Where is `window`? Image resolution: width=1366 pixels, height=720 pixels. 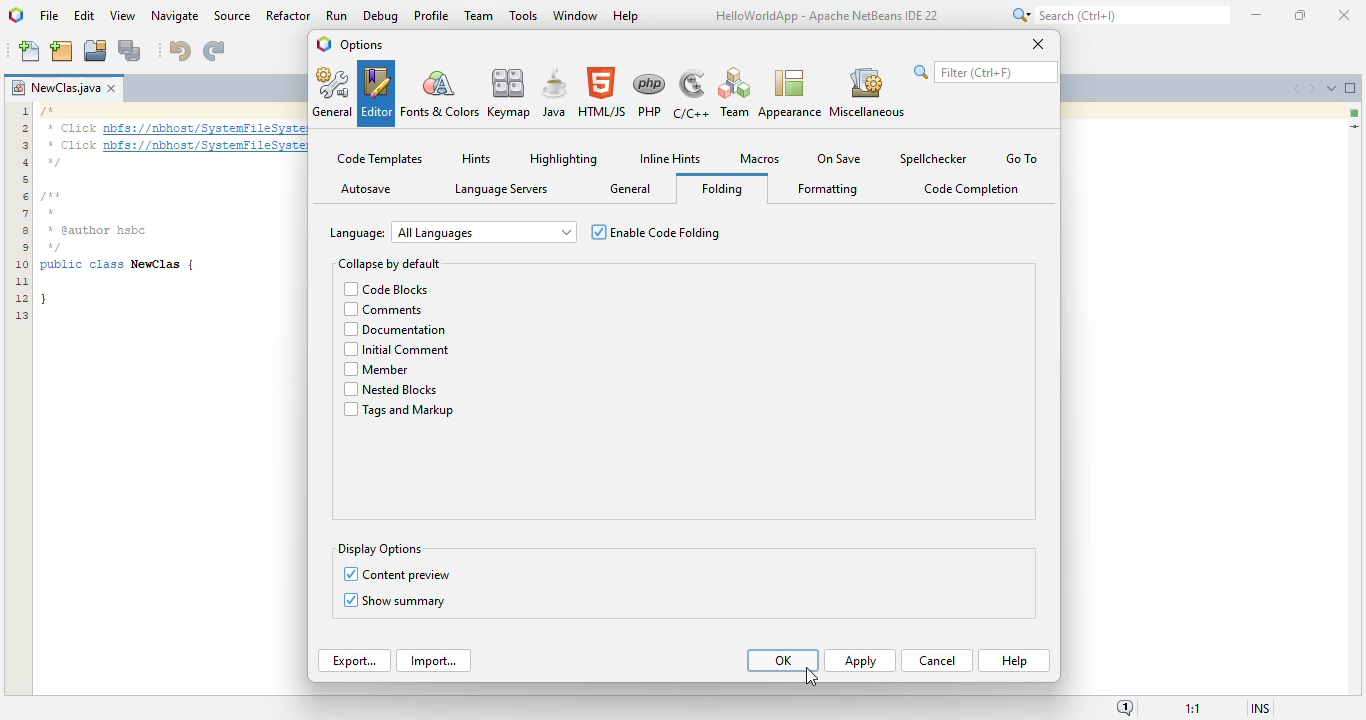 window is located at coordinates (576, 14).